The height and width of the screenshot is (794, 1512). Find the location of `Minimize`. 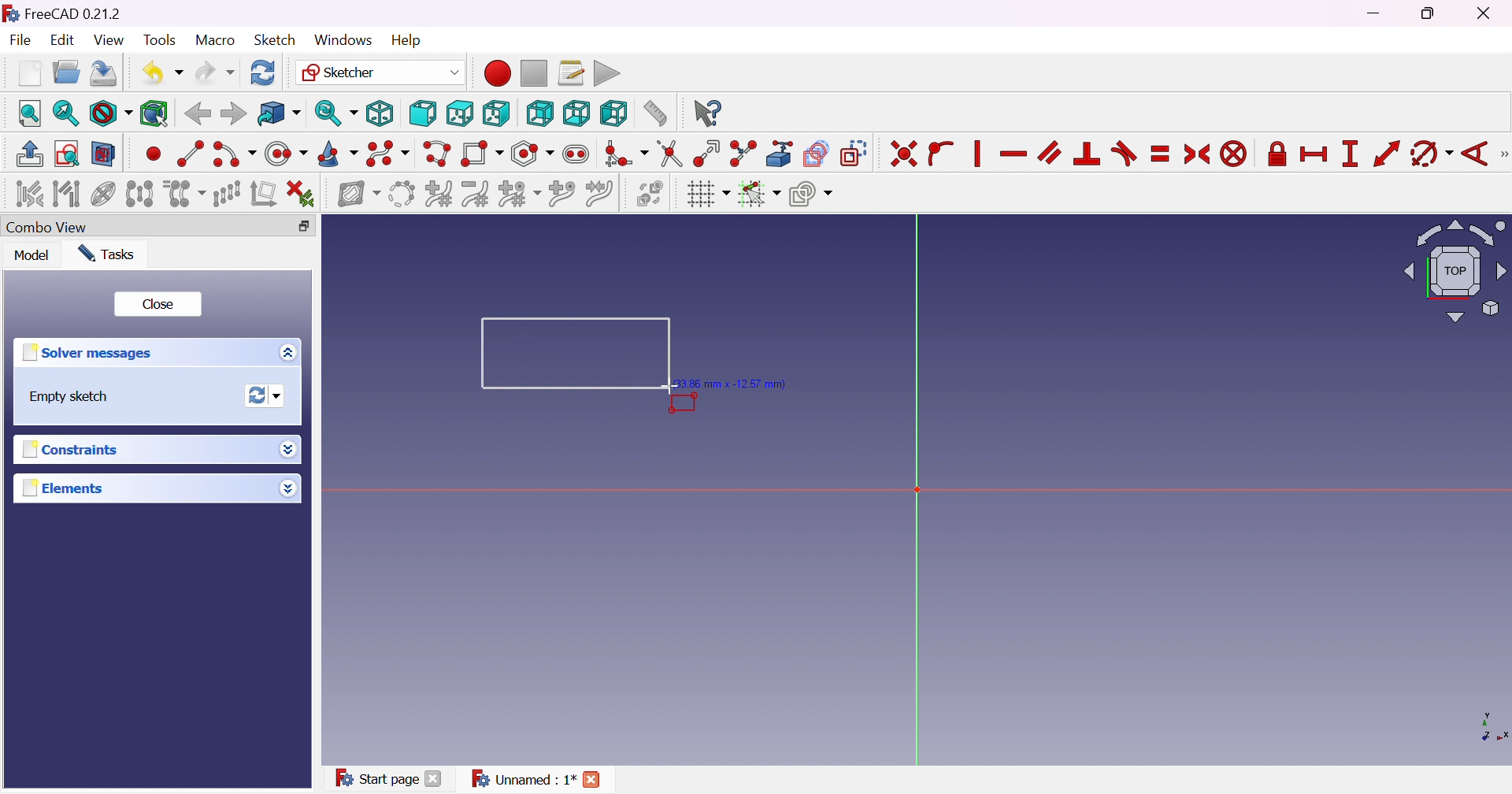

Minimize is located at coordinates (1379, 13).